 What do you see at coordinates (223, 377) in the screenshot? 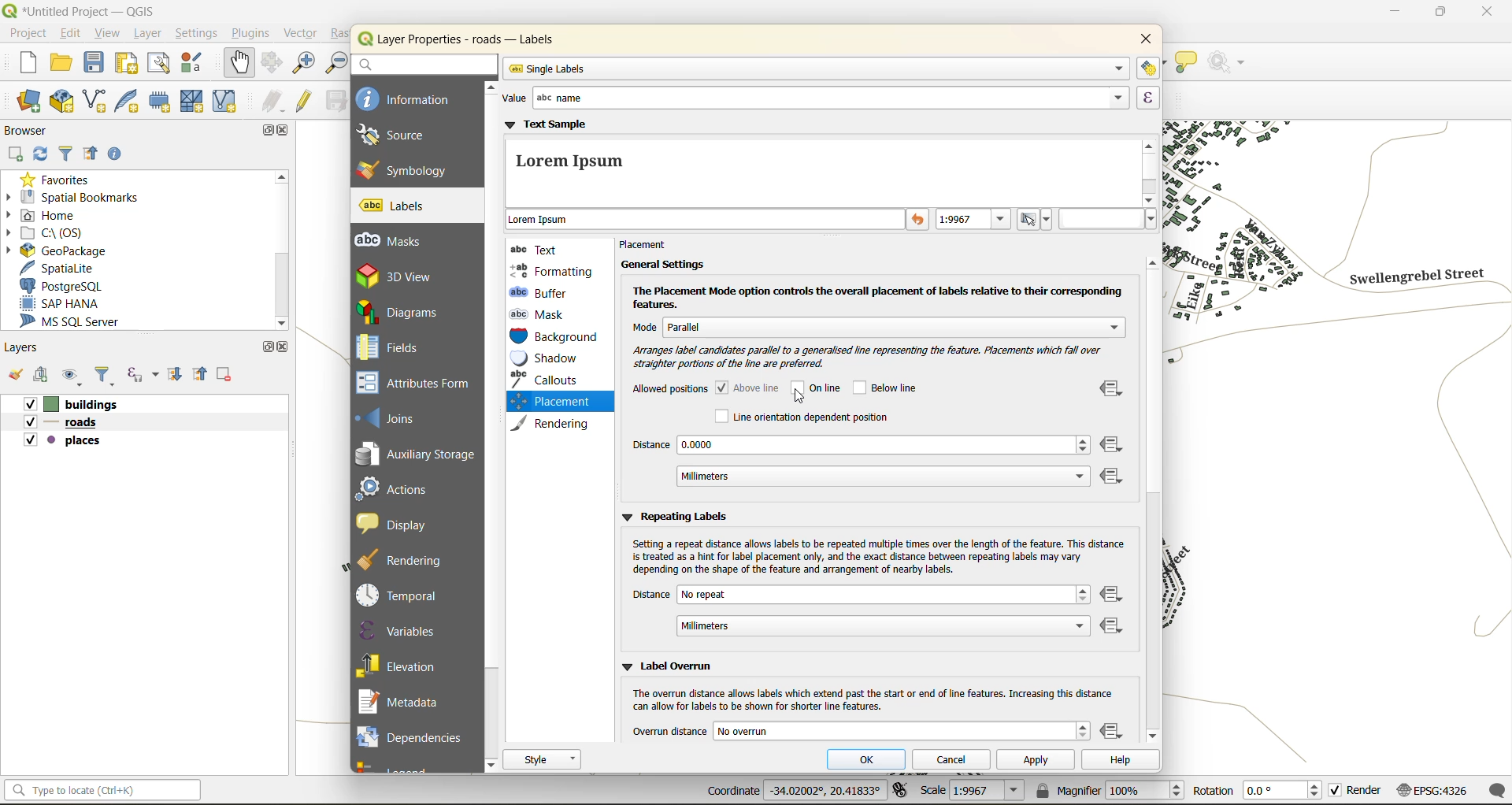
I see `remove` at bounding box center [223, 377].